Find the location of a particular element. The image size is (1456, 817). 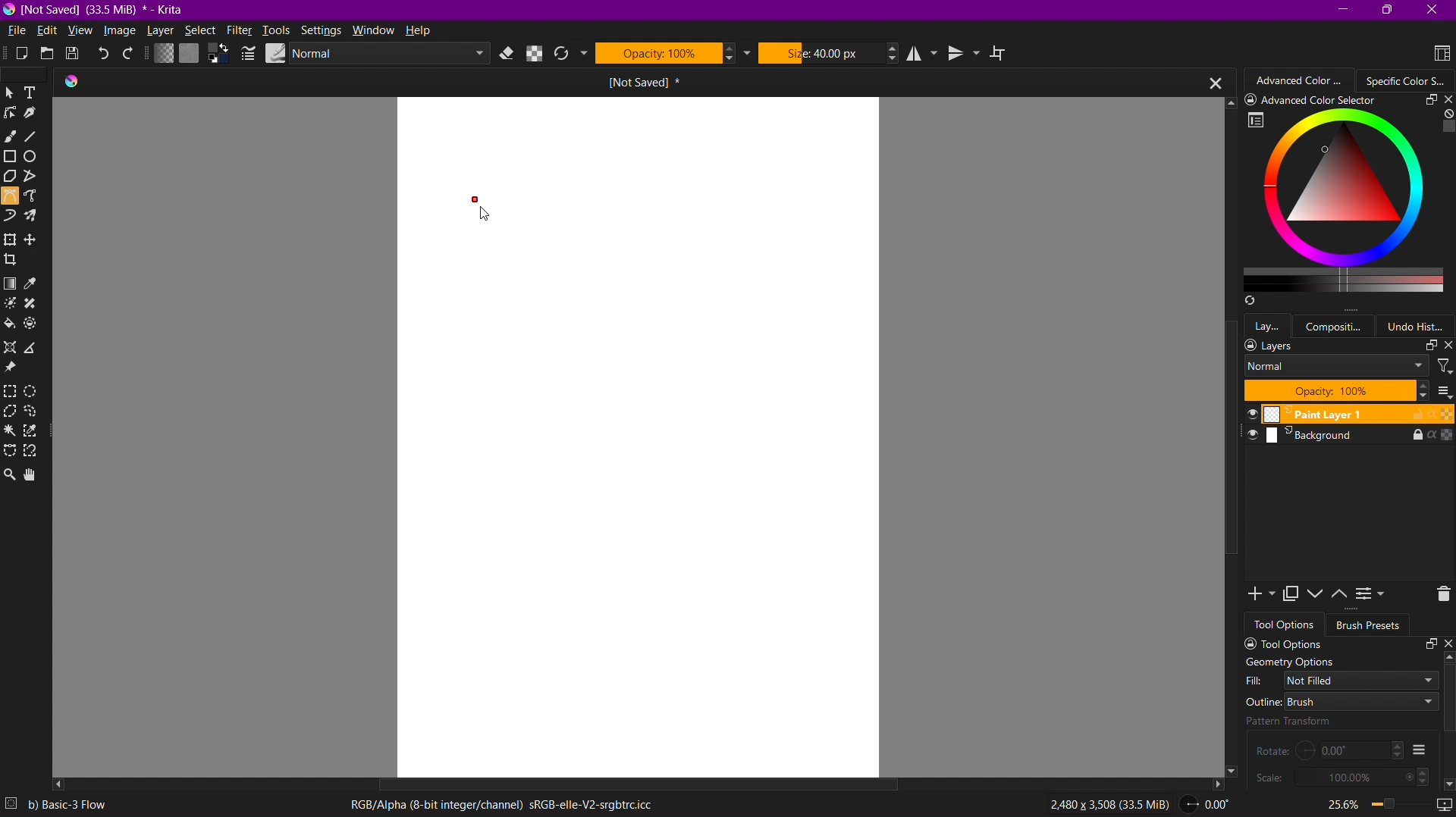

Move Layer or Mask Down is located at coordinates (1318, 594).